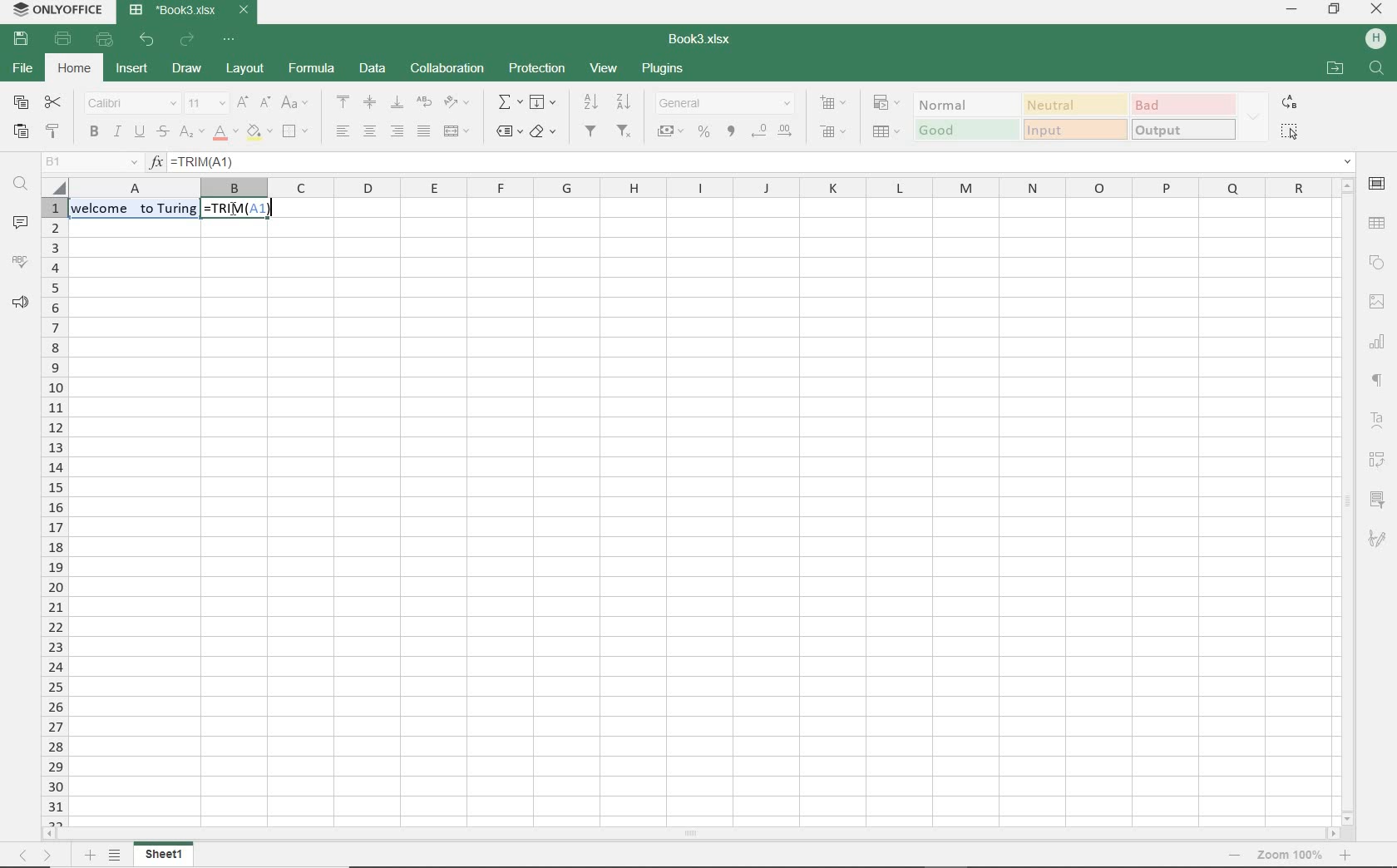  What do you see at coordinates (240, 219) in the screenshot?
I see `TRIM(A1)` at bounding box center [240, 219].